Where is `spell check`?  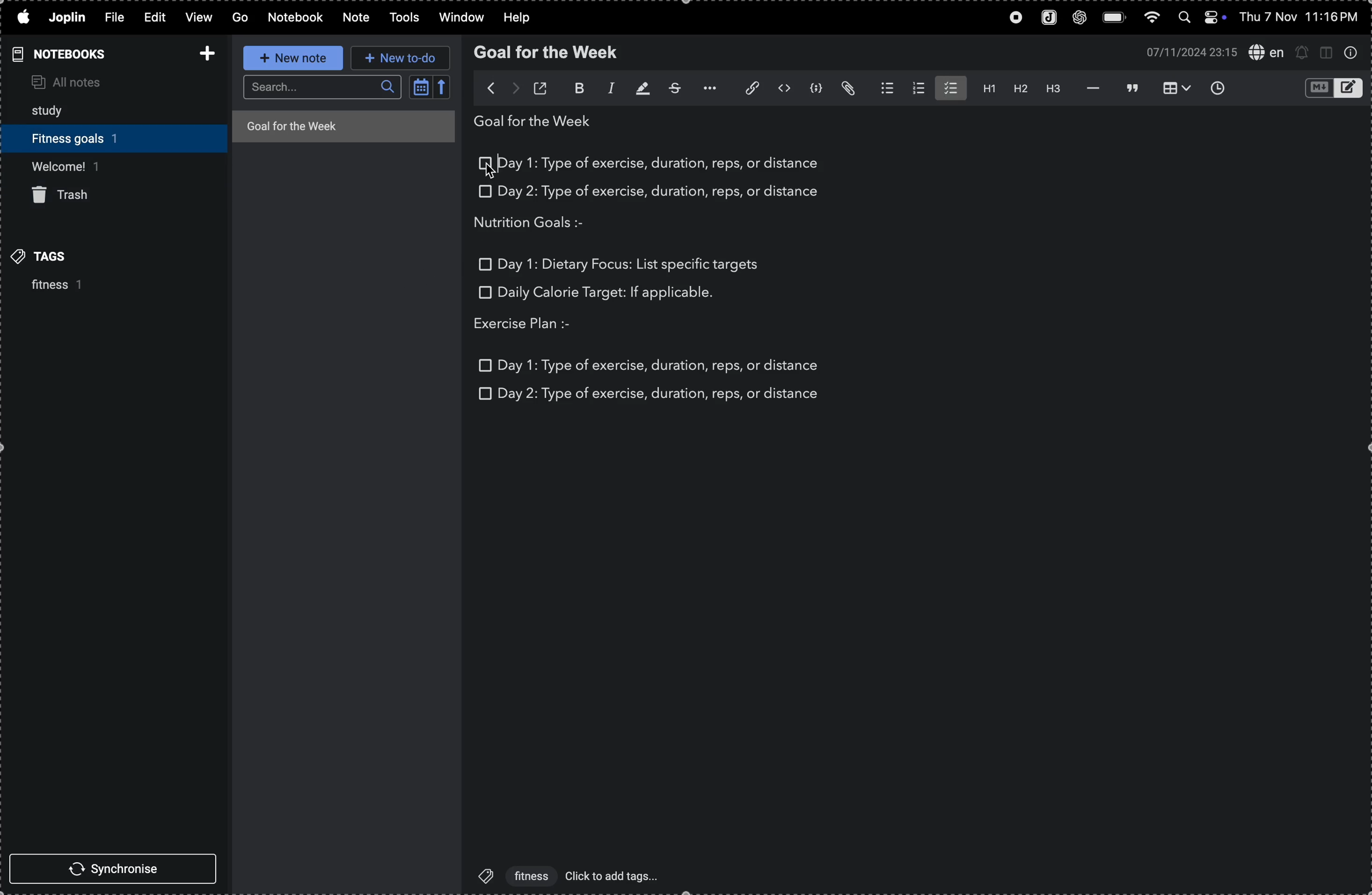 spell check is located at coordinates (1264, 53).